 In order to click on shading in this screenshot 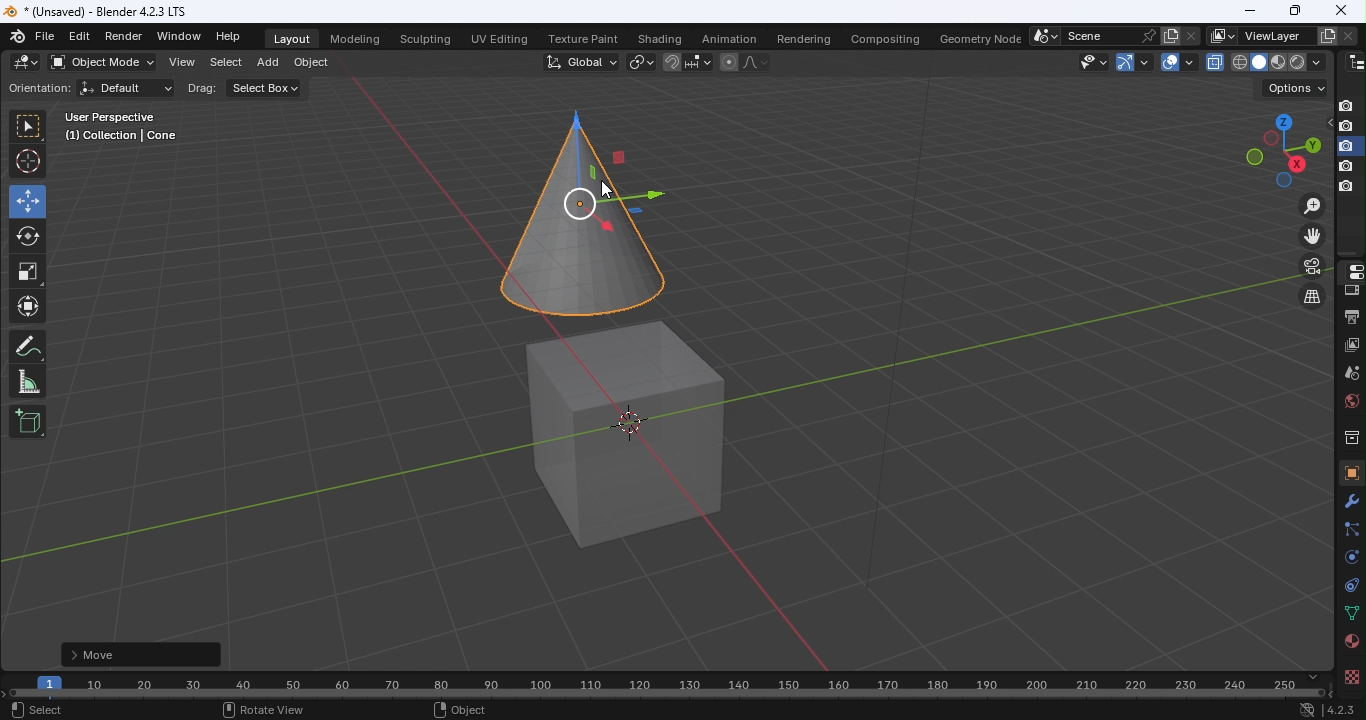, I will do `click(1315, 61)`.